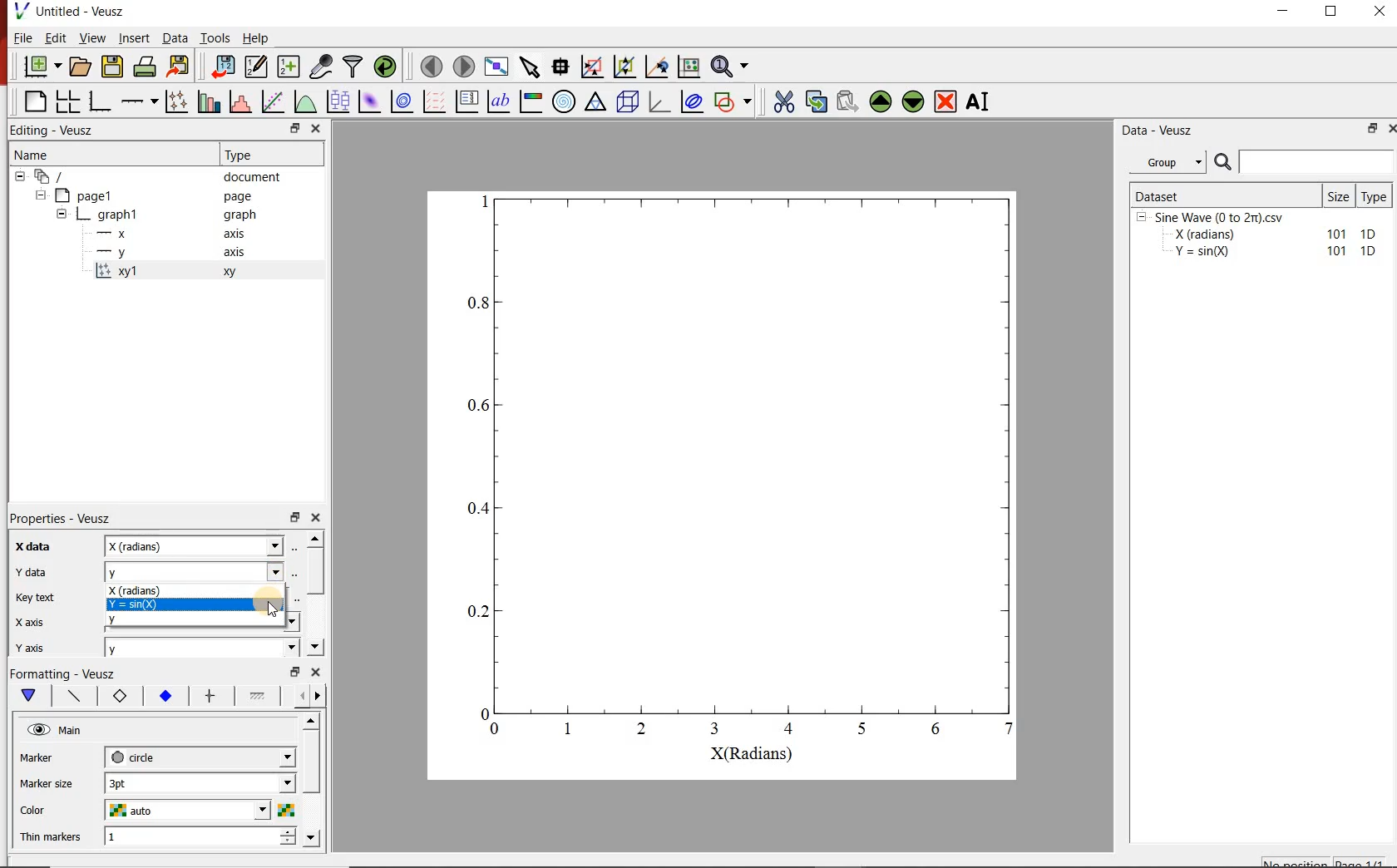 The width and height of the screenshot is (1397, 868). I want to click on @ main, so click(54, 731).